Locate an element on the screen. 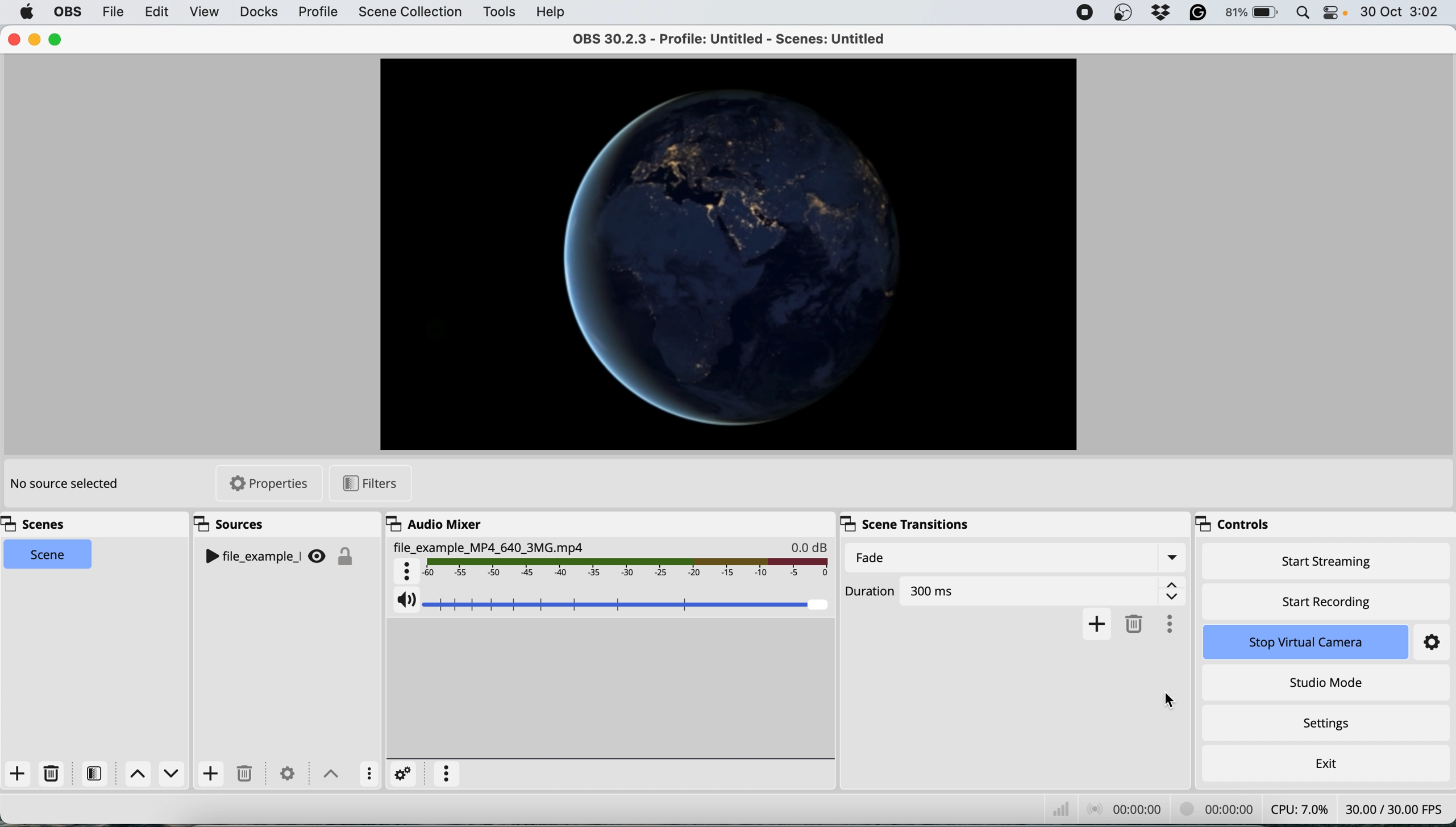 The width and height of the screenshot is (1456, 827). source audio is located at coordinates (606, 557).